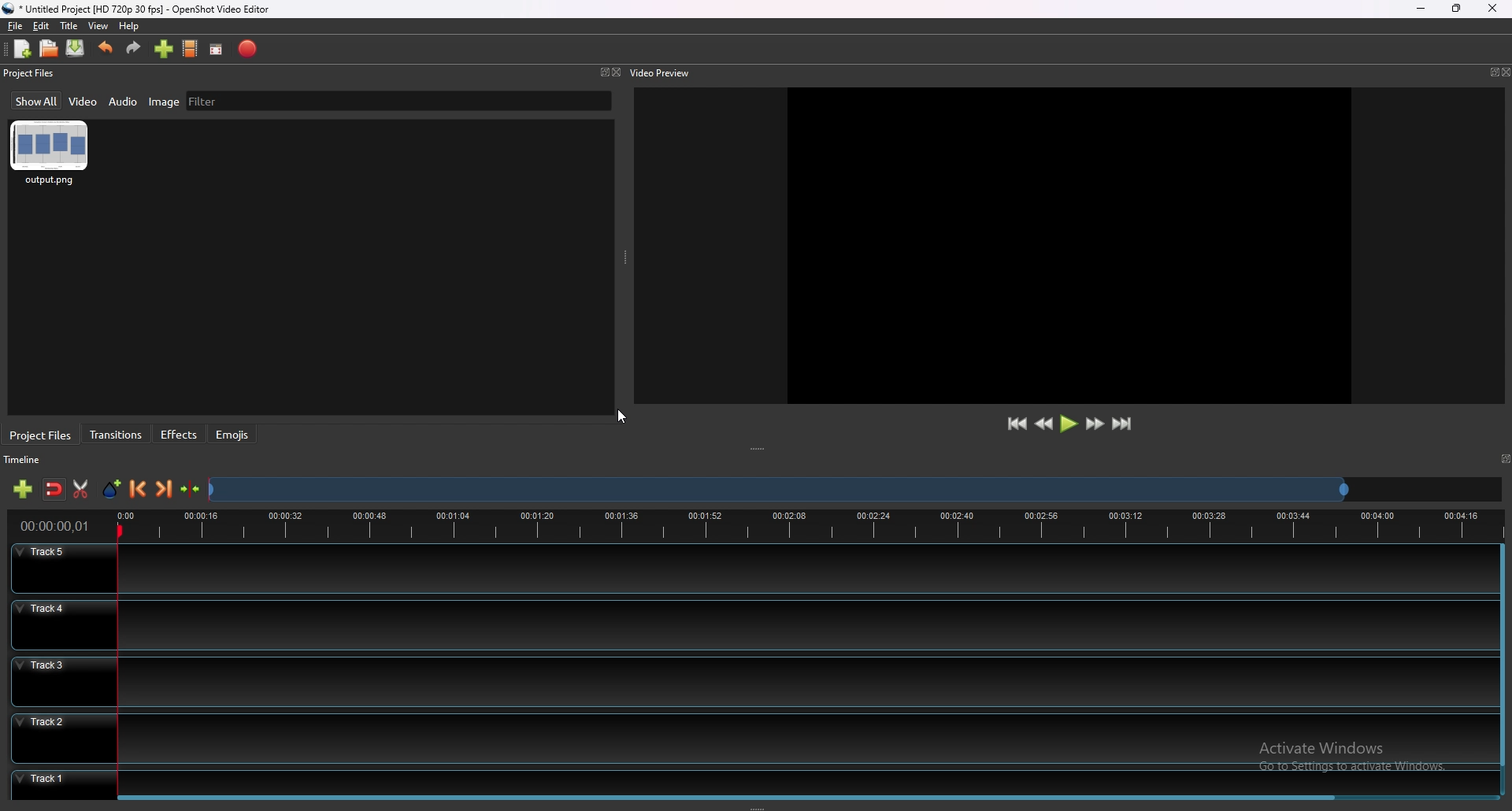  I want to click on previous marker, so click(139, 489).